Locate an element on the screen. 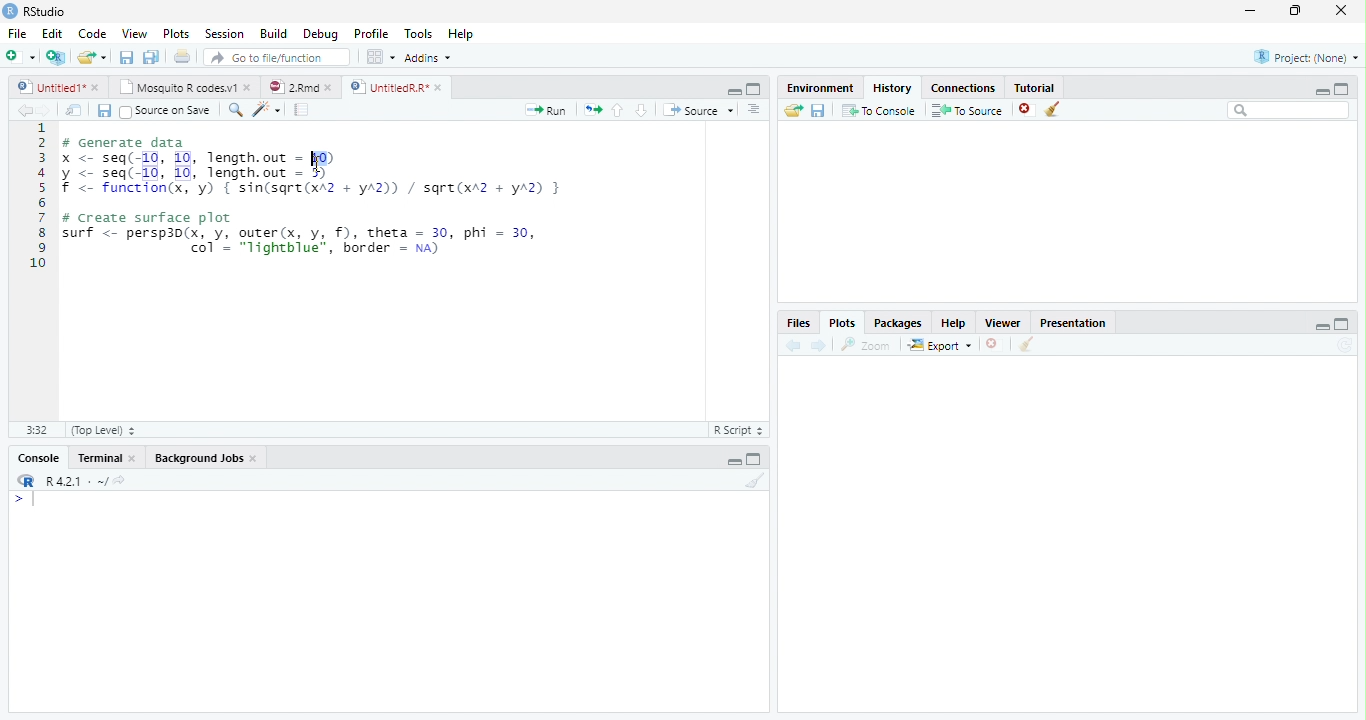  close is located at coordinates (248, 87).